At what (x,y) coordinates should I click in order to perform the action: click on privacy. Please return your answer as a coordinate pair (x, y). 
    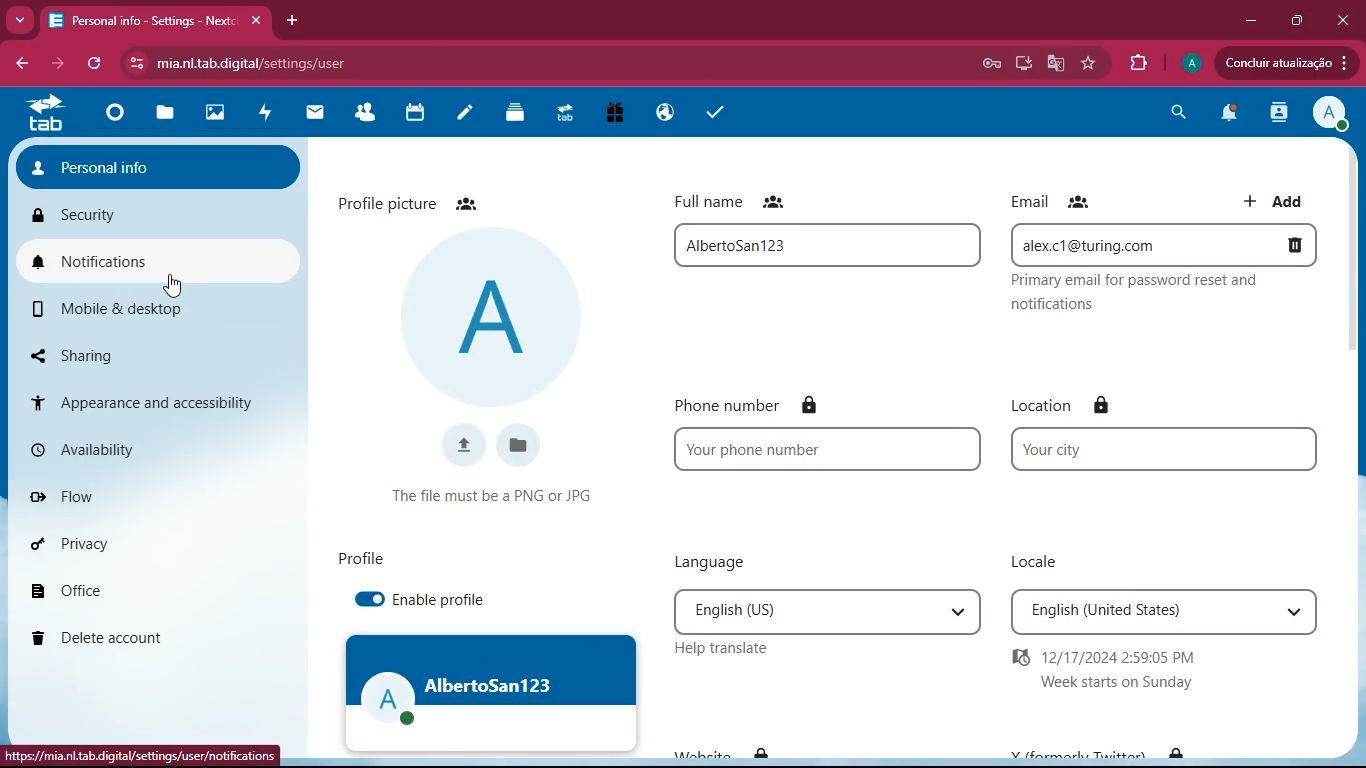
    Looking at the image, I should click on (131, 539).